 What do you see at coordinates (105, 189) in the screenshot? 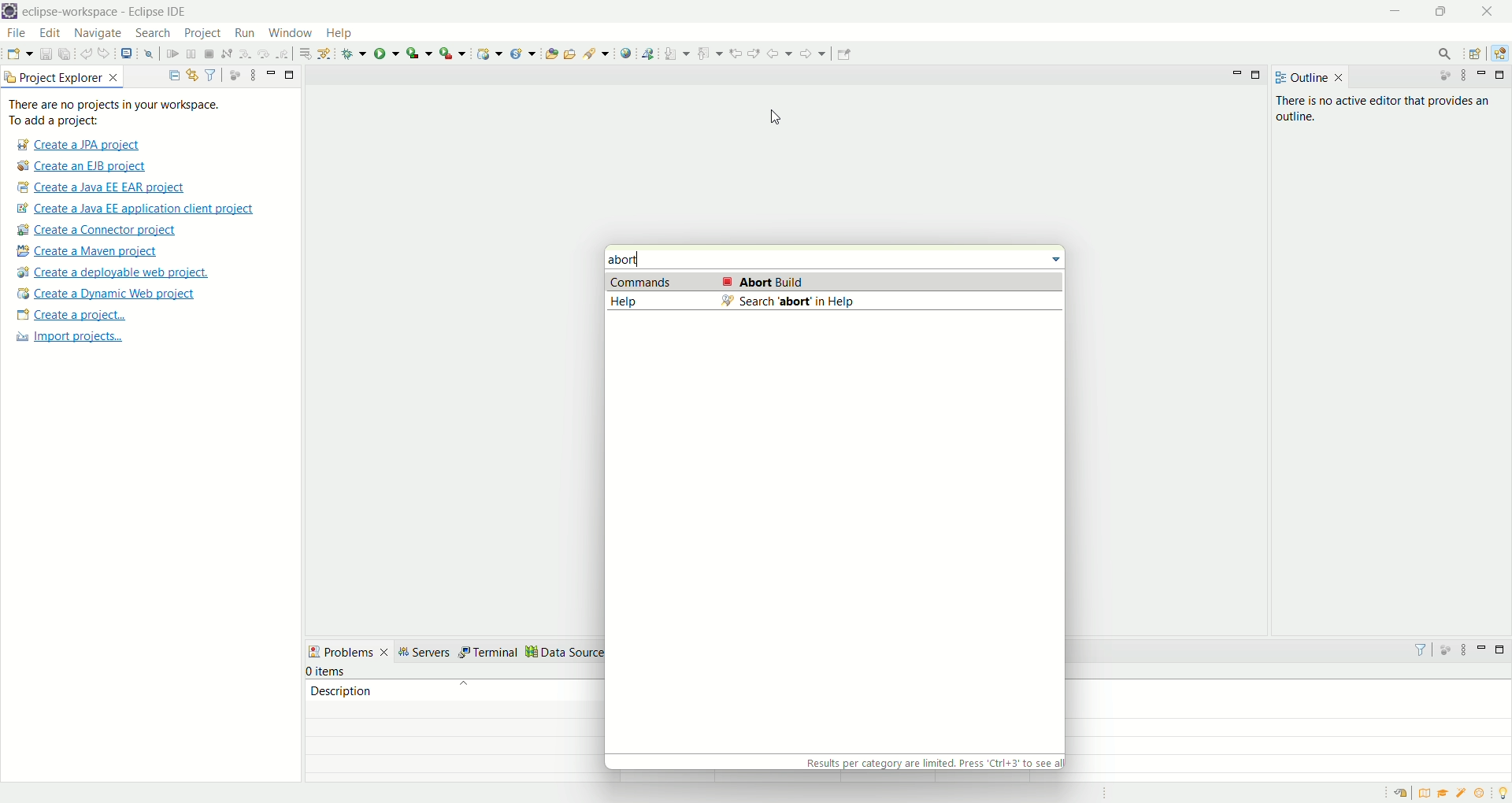
I see `create a Java EE EAR project` at bounding box center [105, 189].